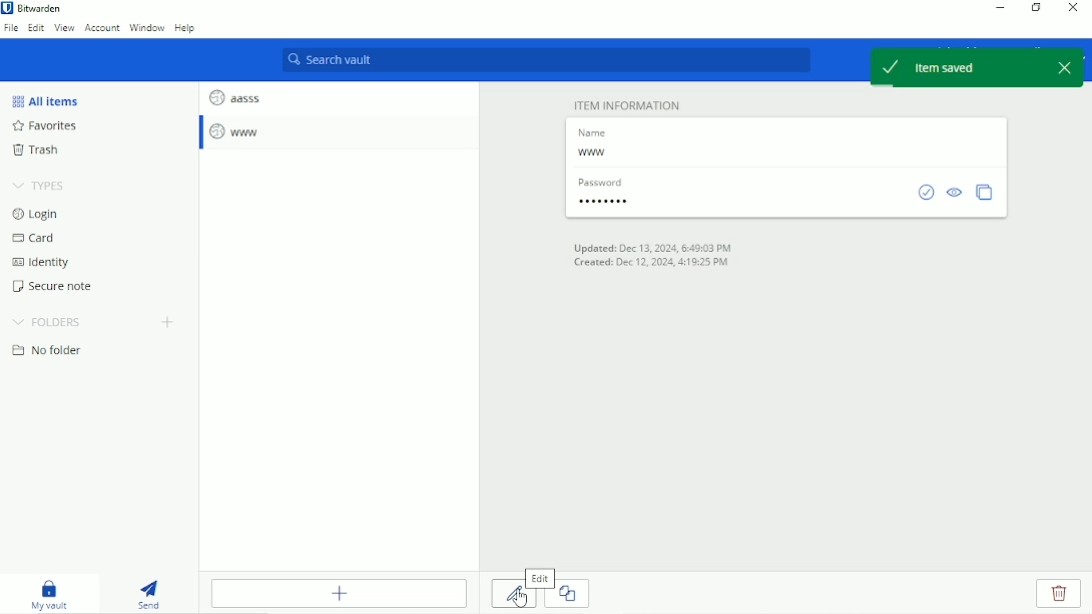 The height and width of the screenshot is (614, 1092). What do you see at coordinates (573, 592) in the screenshot?
I see `Cloe` at bounding box center [573, 592].